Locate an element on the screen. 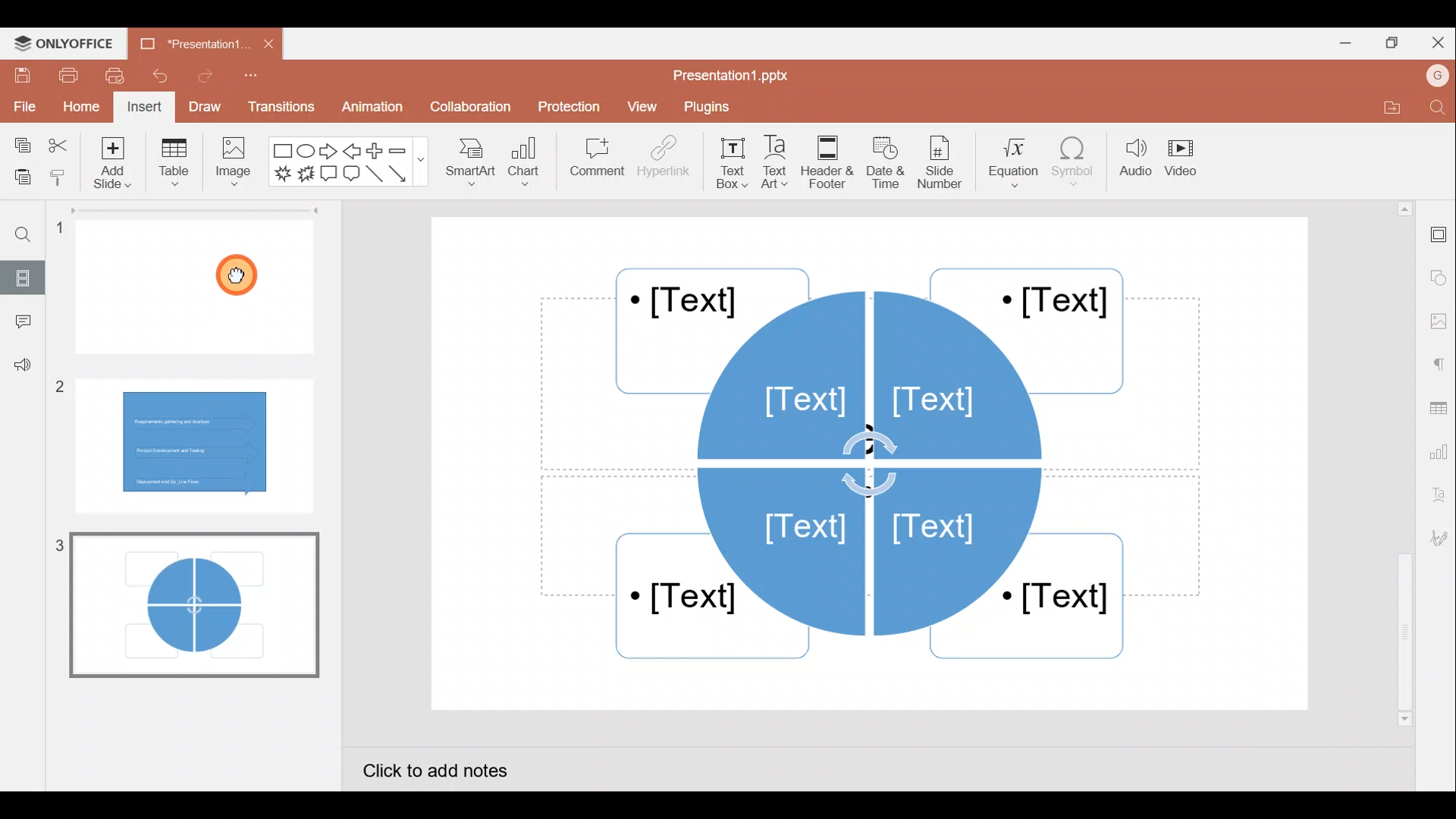 This screenshot has height=819, width=1456. Close is located at coordinates (1439, 40).